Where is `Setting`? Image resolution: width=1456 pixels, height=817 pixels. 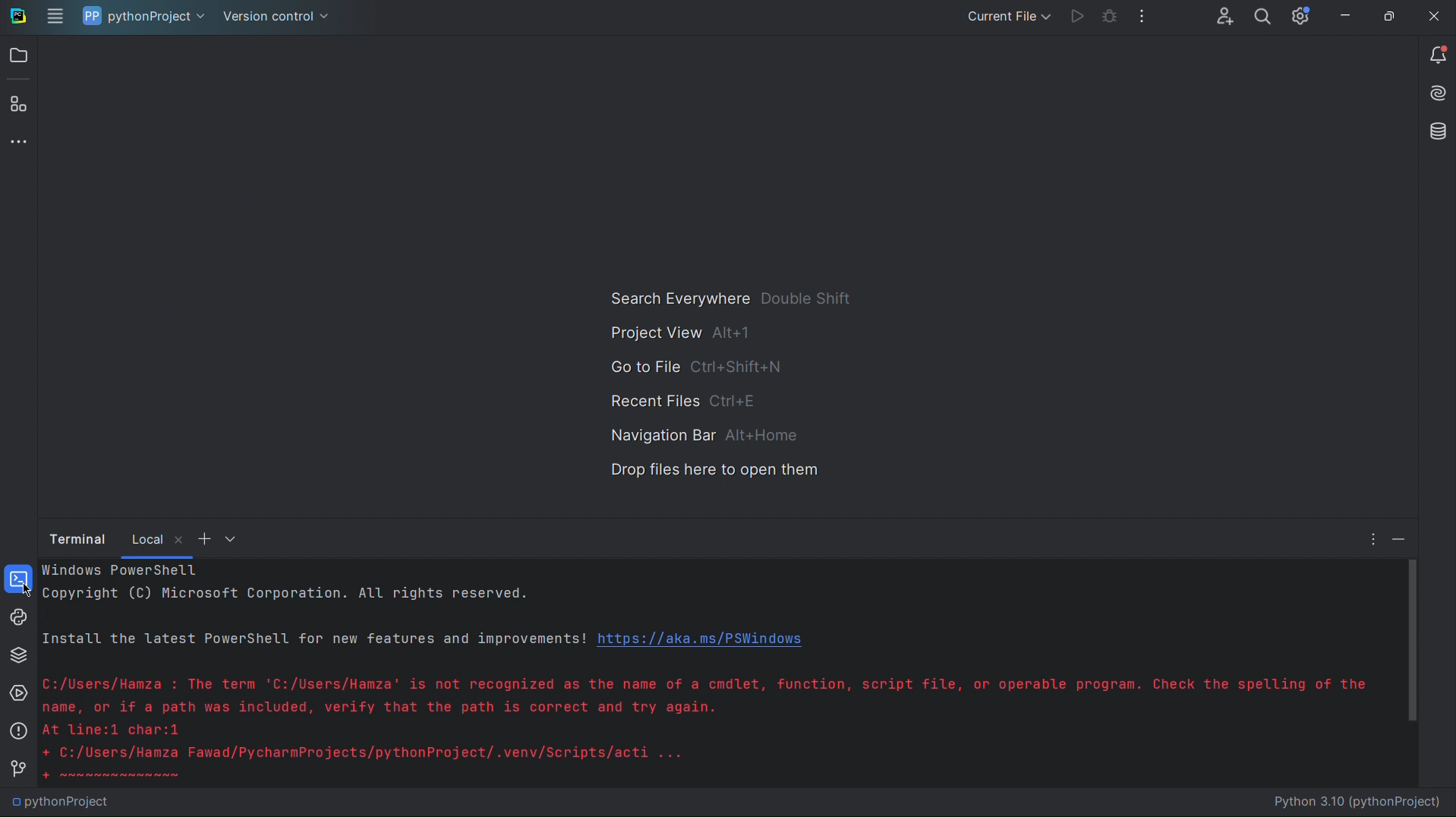 Setting is located at coordinates (1300, 17).